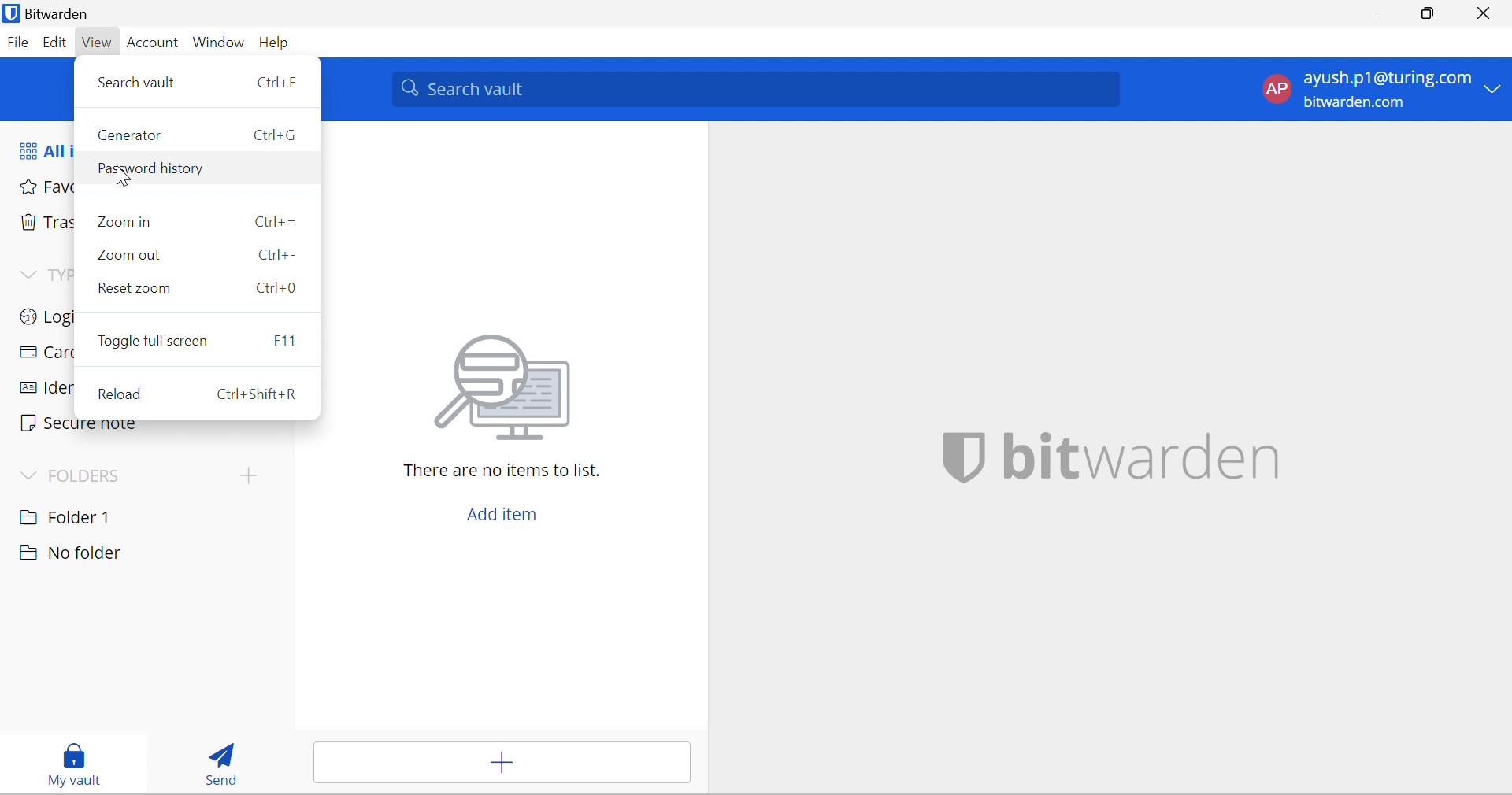  What do you see at coordinates (205, 285) in the screenshot?
I see `reset zoom` at bounding box center [205, 285].